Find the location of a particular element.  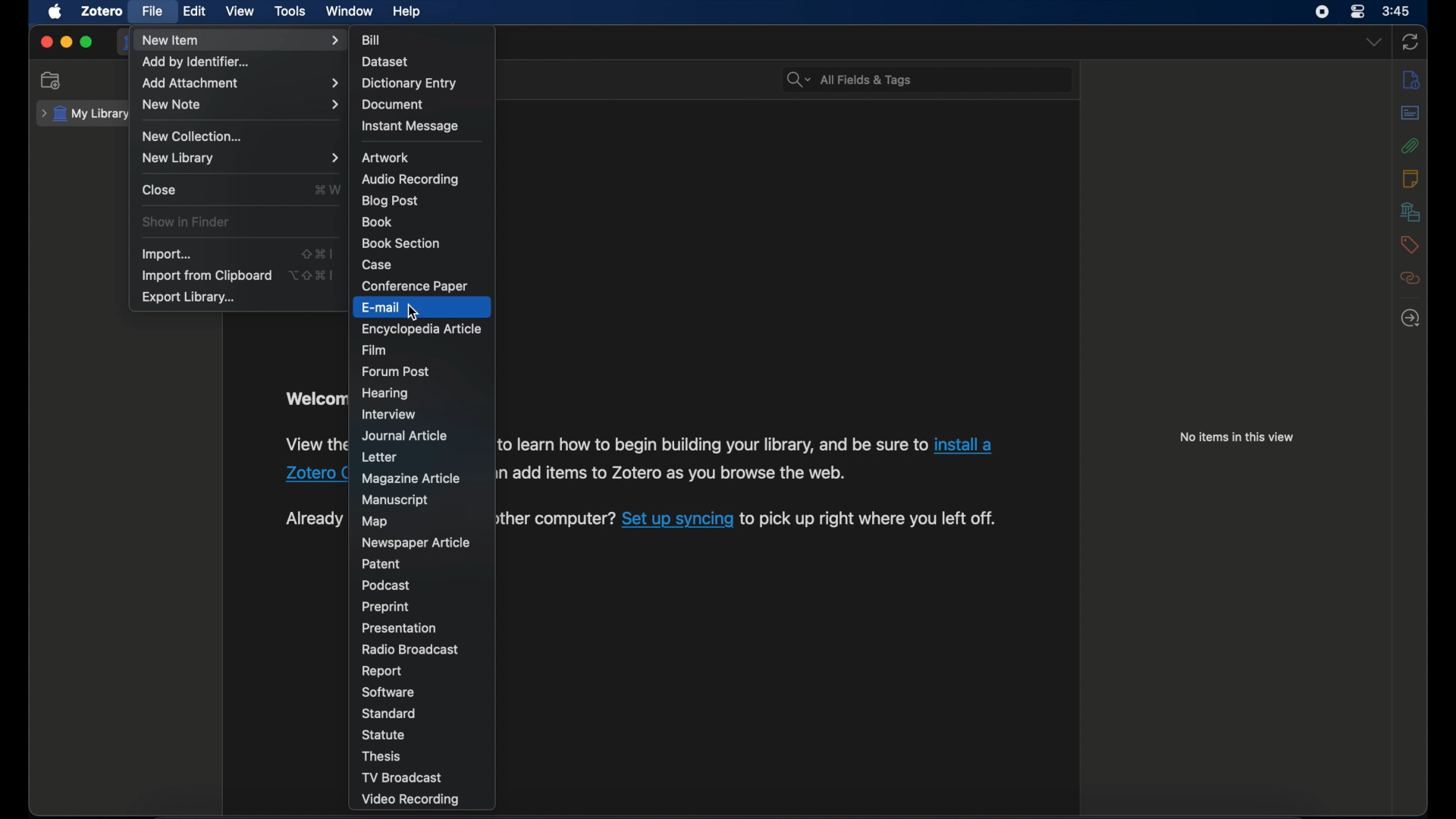

close is located at coordinates (45, 42).